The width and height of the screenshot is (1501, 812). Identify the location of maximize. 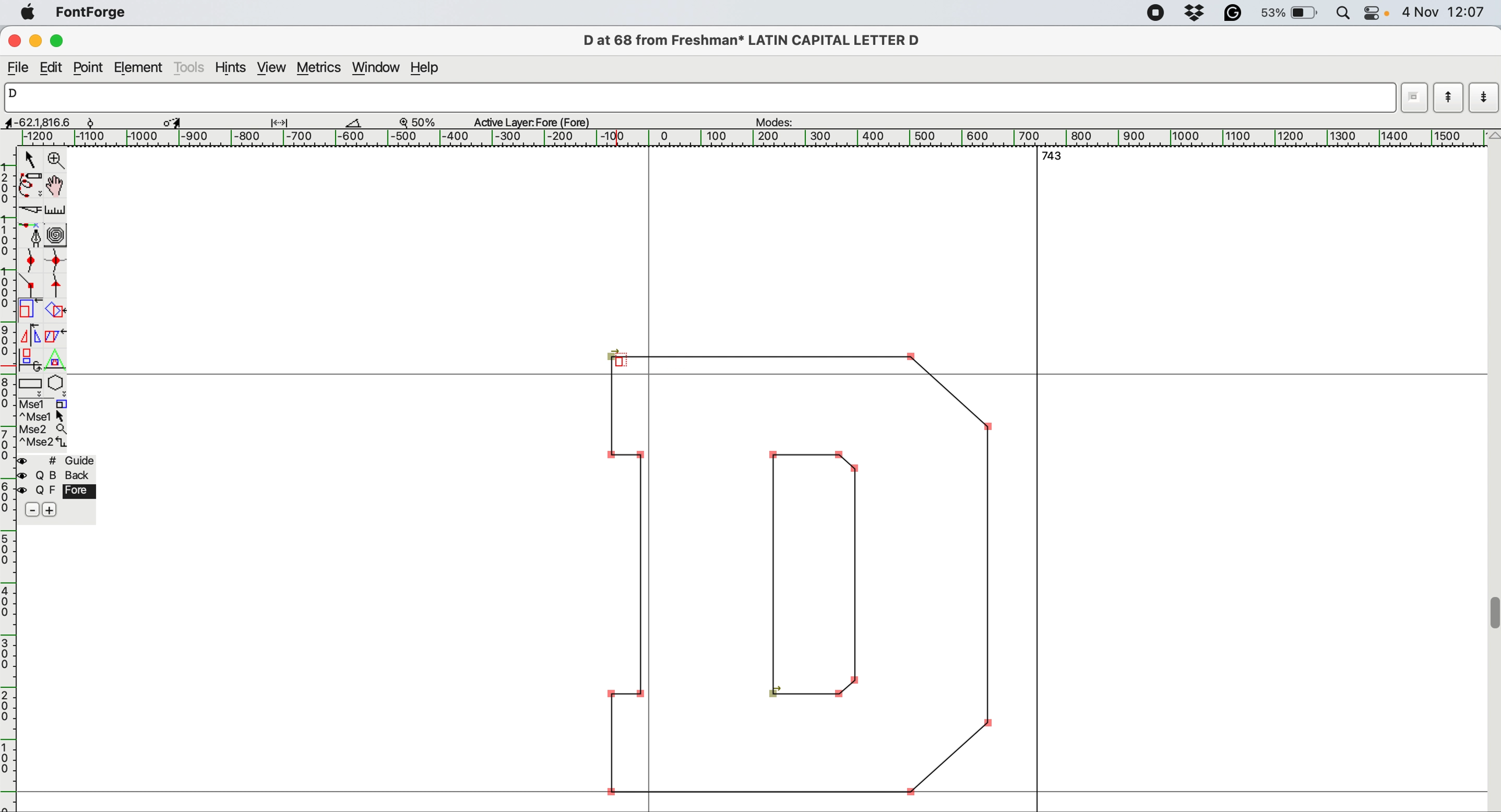
(61, 41).